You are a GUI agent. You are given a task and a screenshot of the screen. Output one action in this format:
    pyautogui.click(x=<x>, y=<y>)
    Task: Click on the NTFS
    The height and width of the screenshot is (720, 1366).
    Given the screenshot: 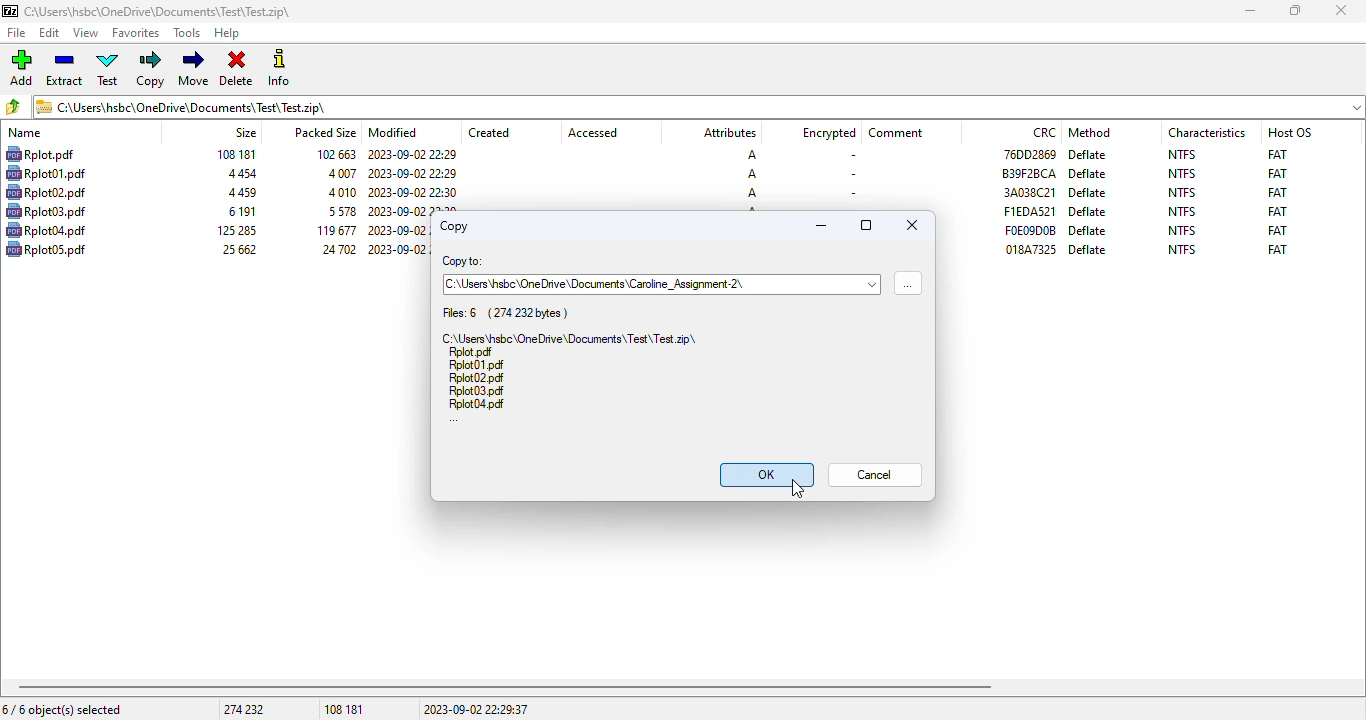 What is the action you would take?
    pyautogui.click(x=1182, y=211)
    